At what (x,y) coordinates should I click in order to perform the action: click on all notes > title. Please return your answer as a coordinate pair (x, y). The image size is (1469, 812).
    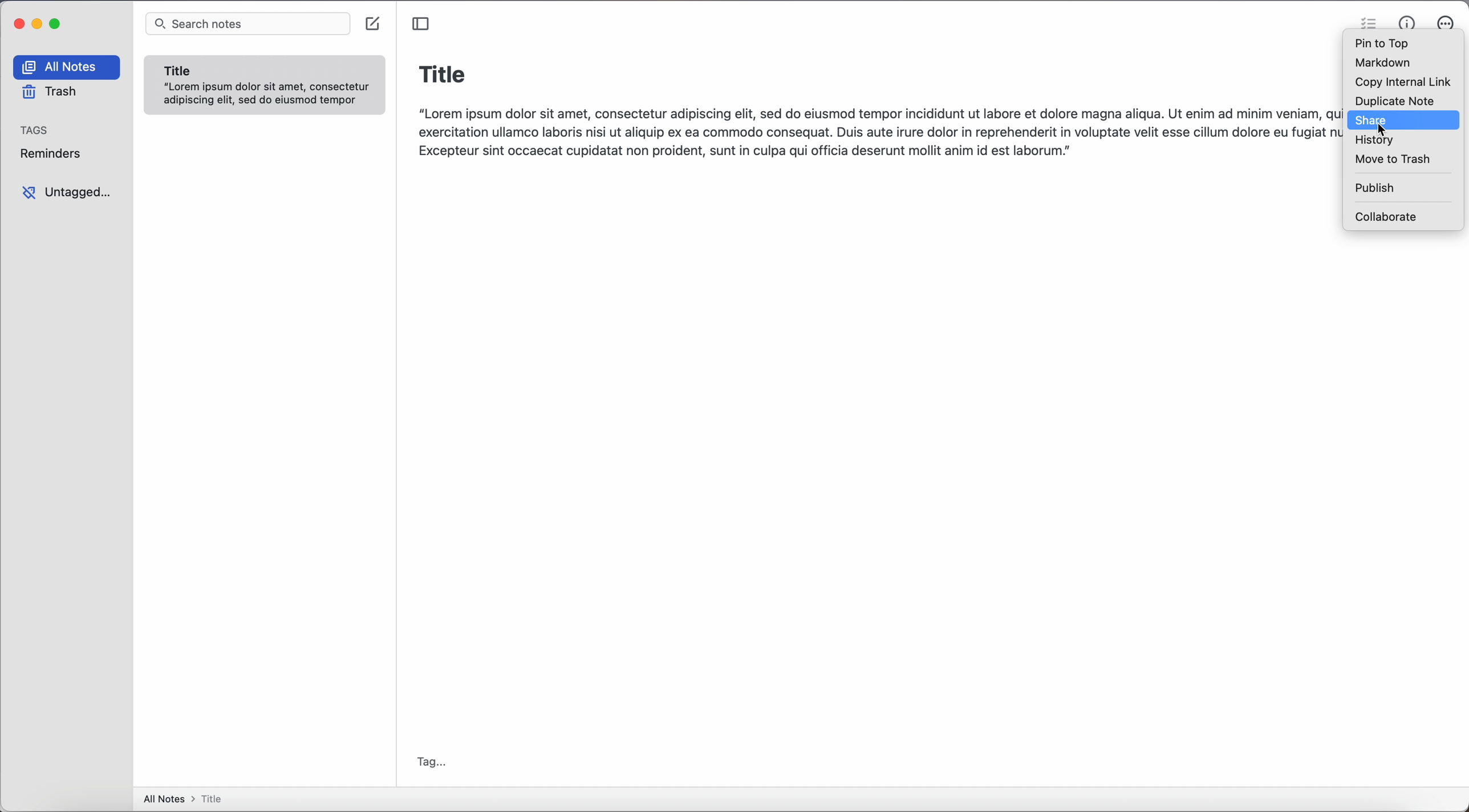
    Looking at the image, I should click on (186, 798).